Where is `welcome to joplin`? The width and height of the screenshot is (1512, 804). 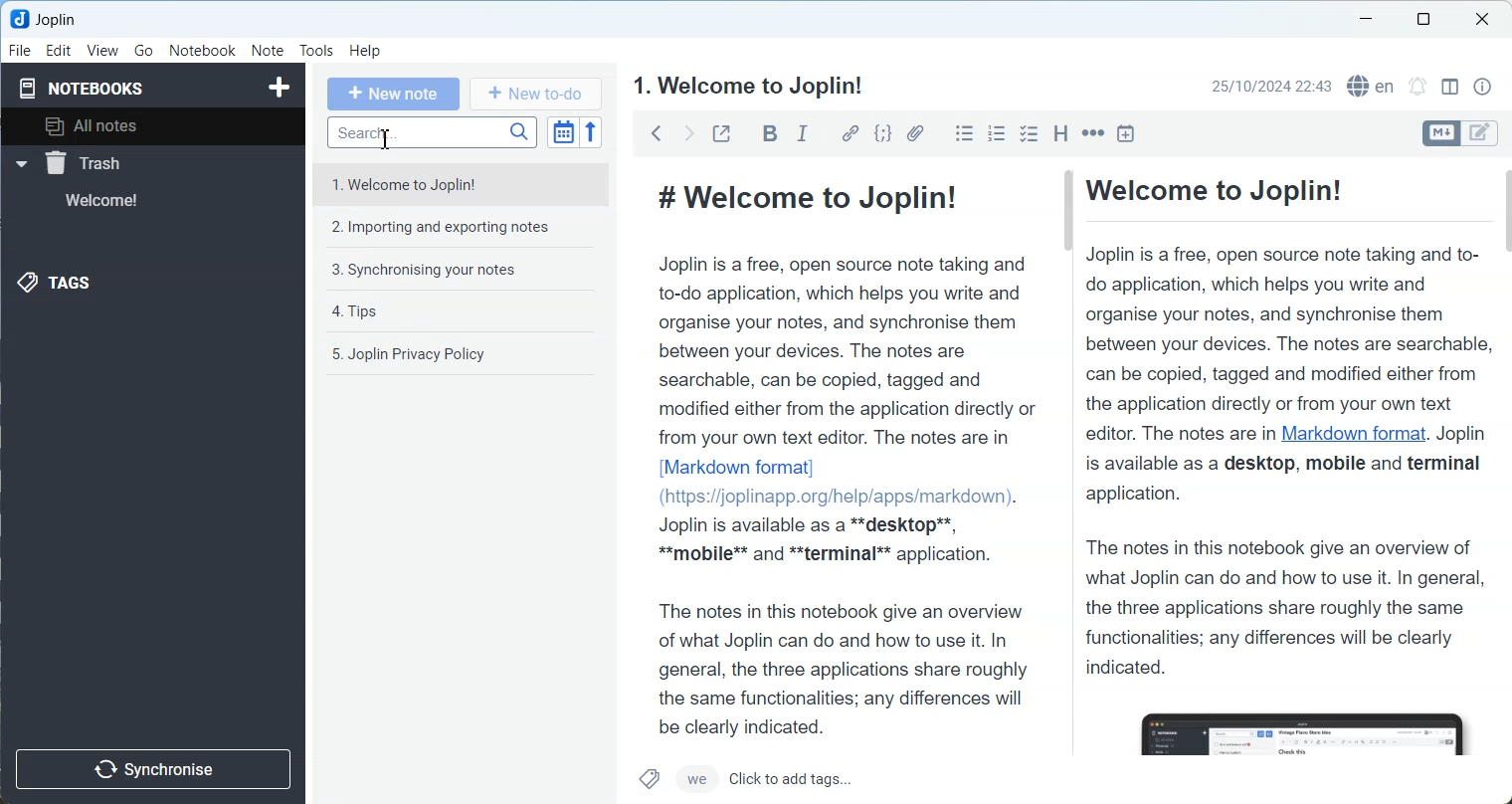 welcome to joplin is located at coordinates (464, 186).